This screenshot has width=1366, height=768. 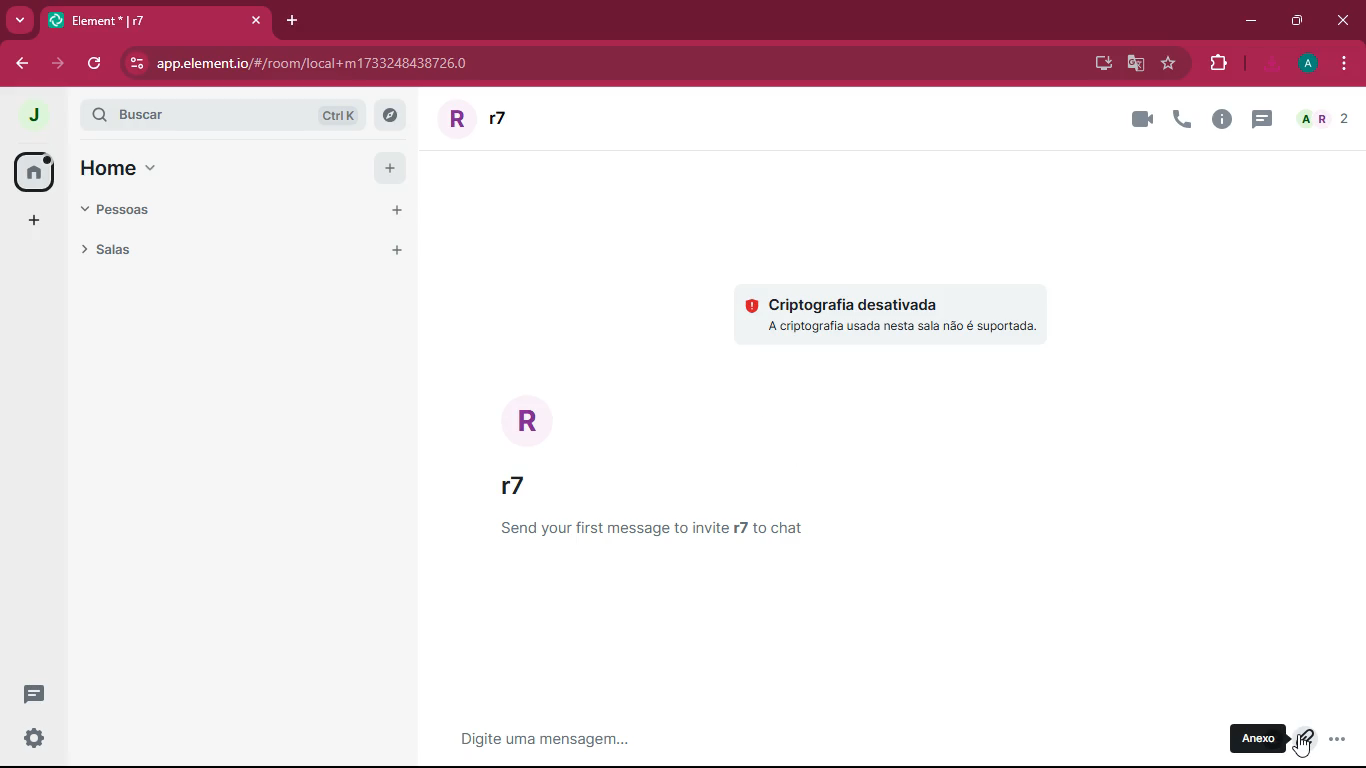 I want to click on app.element.io/#/room/local+m1733248438726.0, so click(x=313, y=64).